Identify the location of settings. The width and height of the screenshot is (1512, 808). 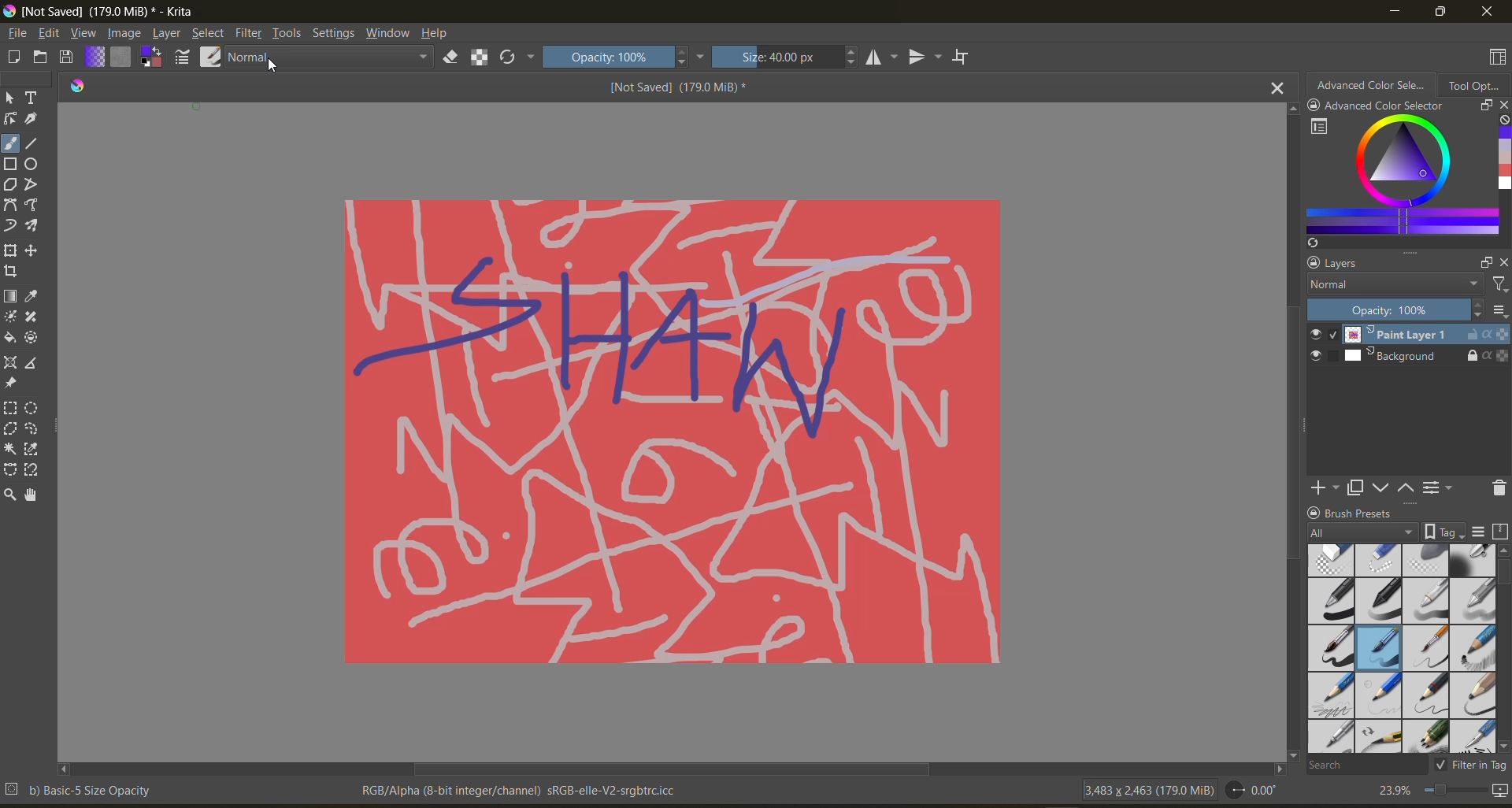
(333, 32).